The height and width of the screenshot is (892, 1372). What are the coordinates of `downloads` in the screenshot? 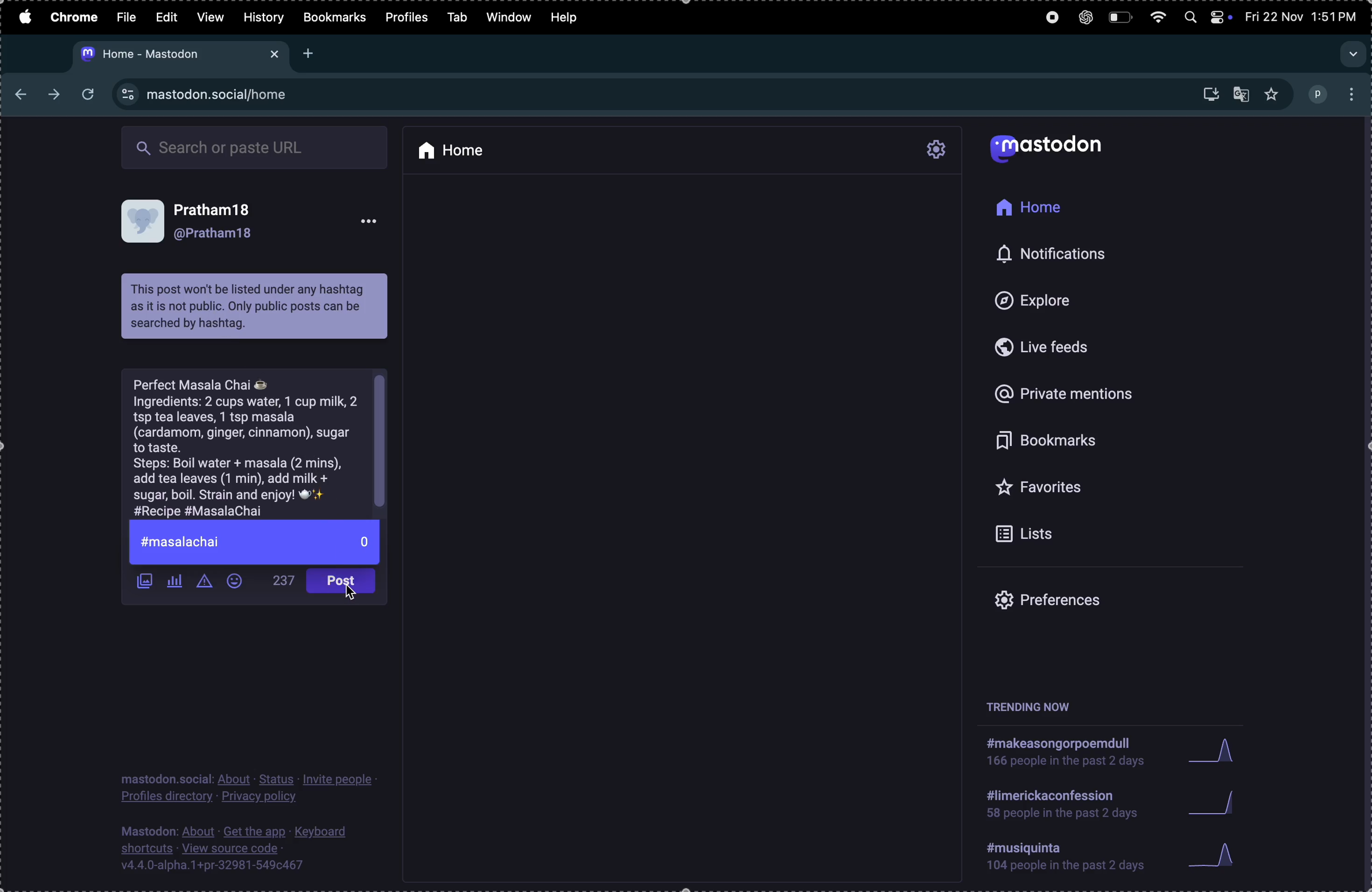 It's located at (1206, 92).